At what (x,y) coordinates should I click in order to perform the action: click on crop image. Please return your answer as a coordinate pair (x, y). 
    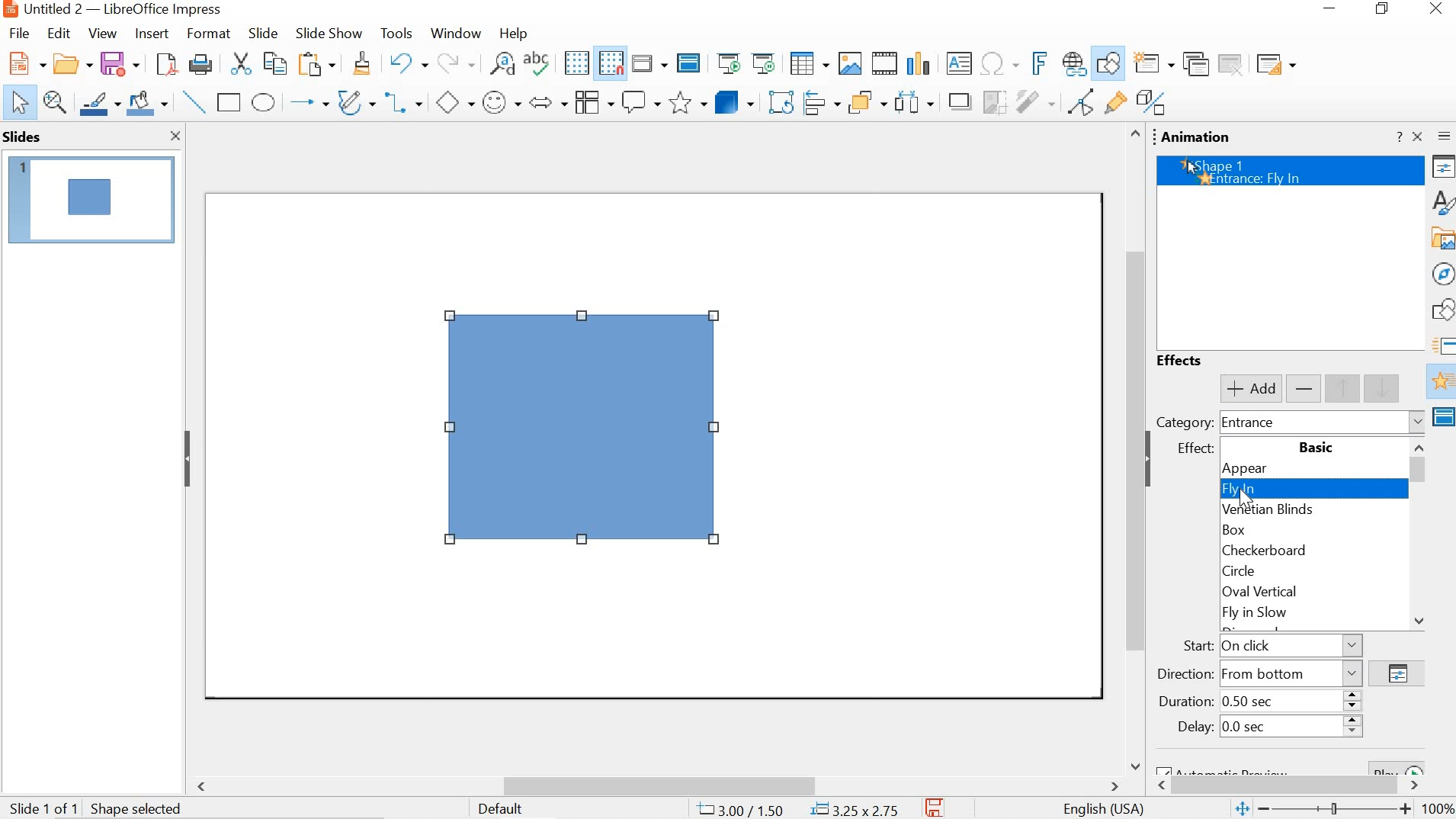
    Looking at the image, I should click on (991, 100).